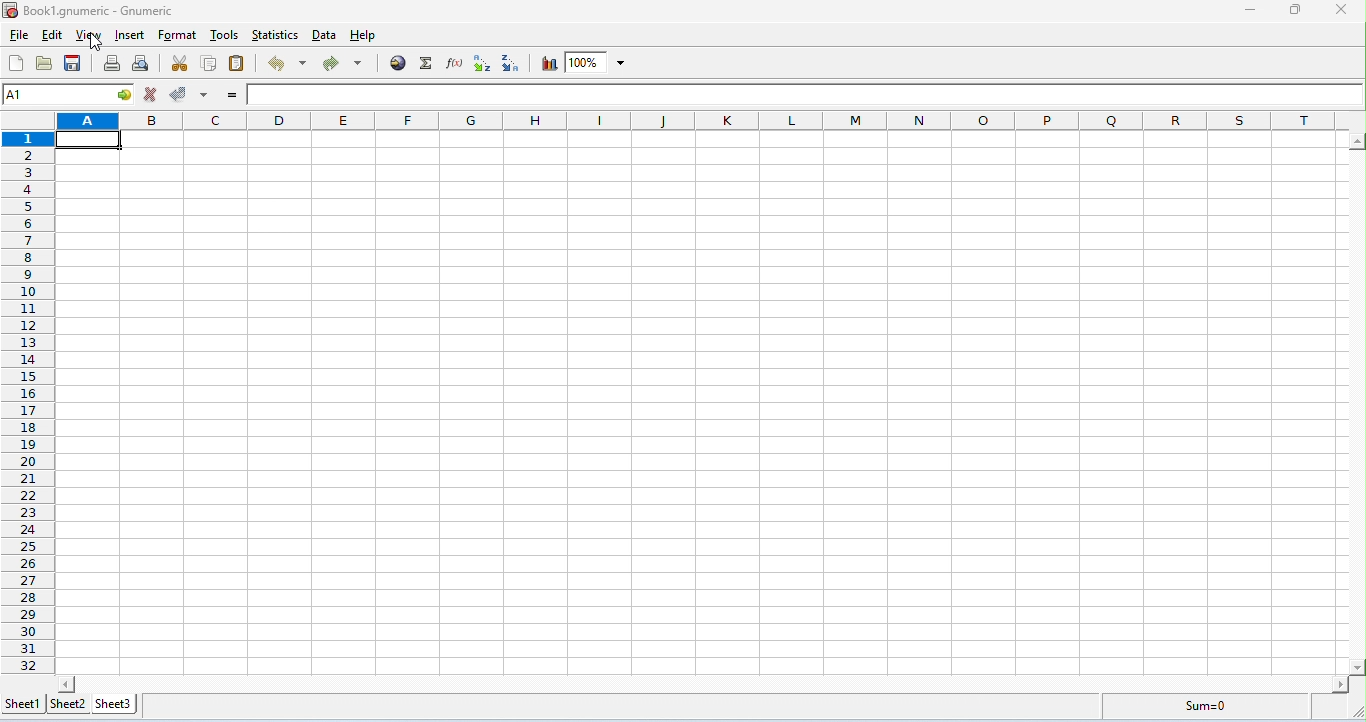  What do you see at coordinates (130, 36) in the screenshot?
I see `insert` at bounding box center [130, 36].